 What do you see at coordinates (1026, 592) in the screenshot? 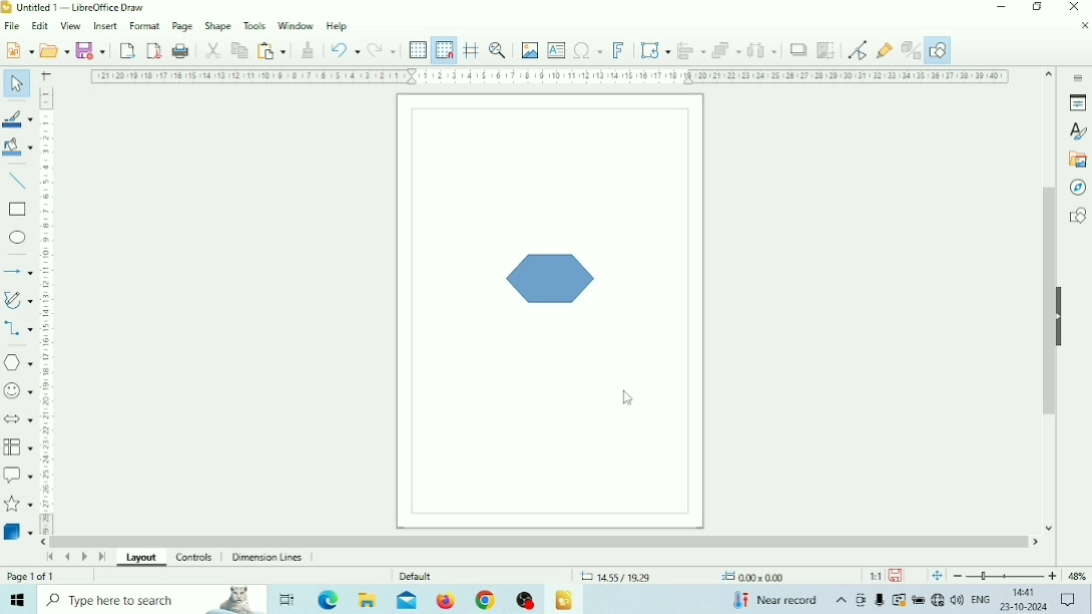
I see `Time` at bounding box center [1026, 592].